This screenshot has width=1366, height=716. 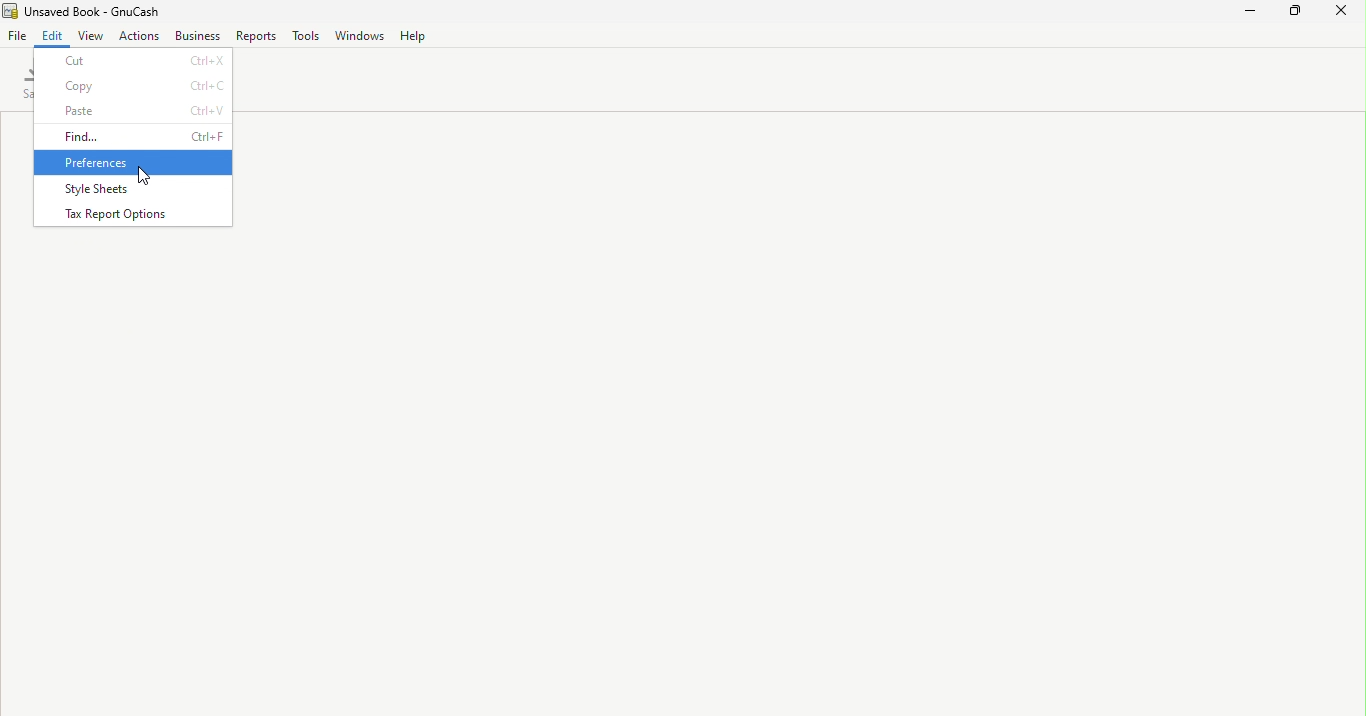 I want to click on Cut, so click(x=135, y=59).